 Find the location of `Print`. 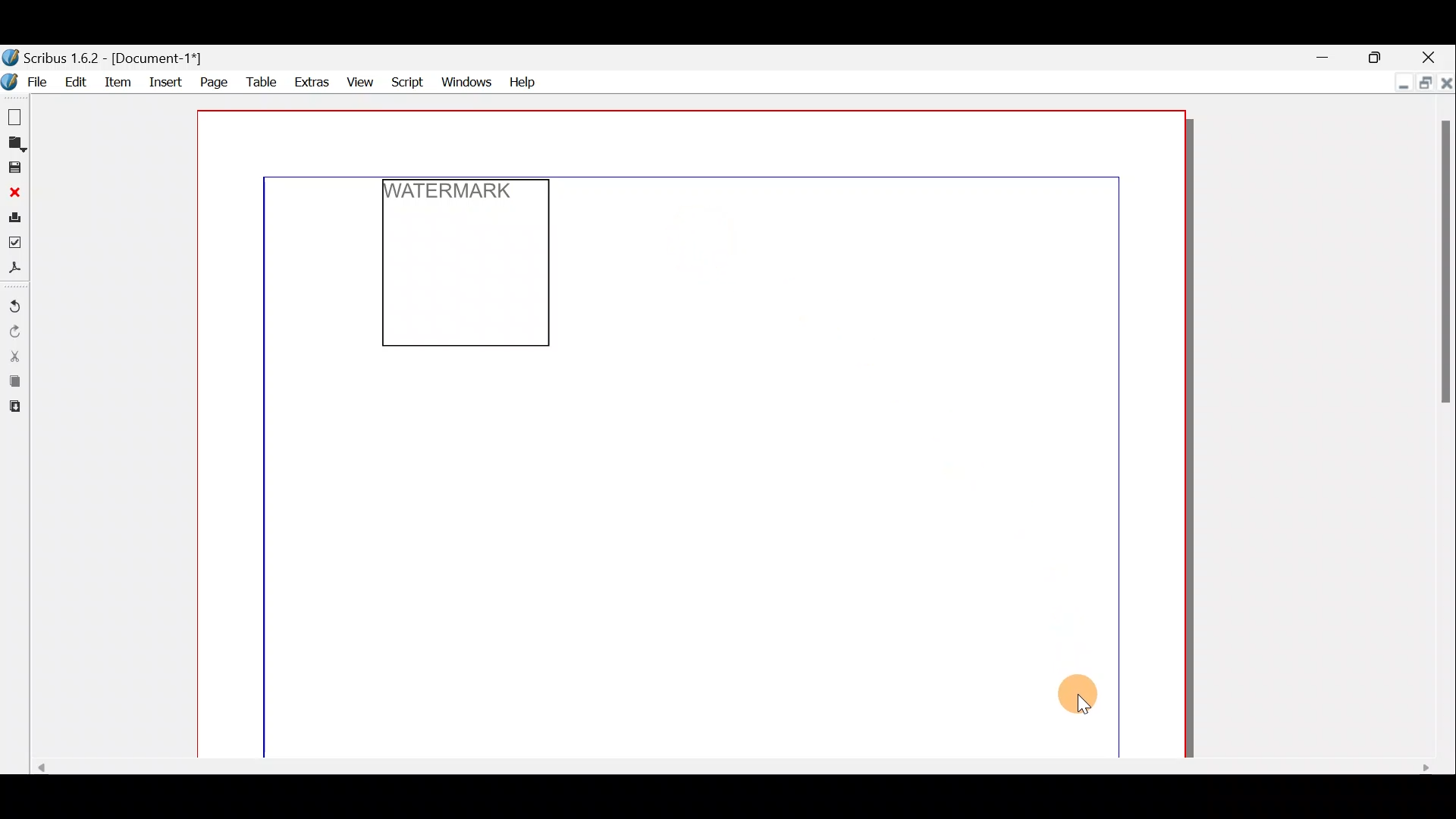

Print is located at coordinates (14, 220).